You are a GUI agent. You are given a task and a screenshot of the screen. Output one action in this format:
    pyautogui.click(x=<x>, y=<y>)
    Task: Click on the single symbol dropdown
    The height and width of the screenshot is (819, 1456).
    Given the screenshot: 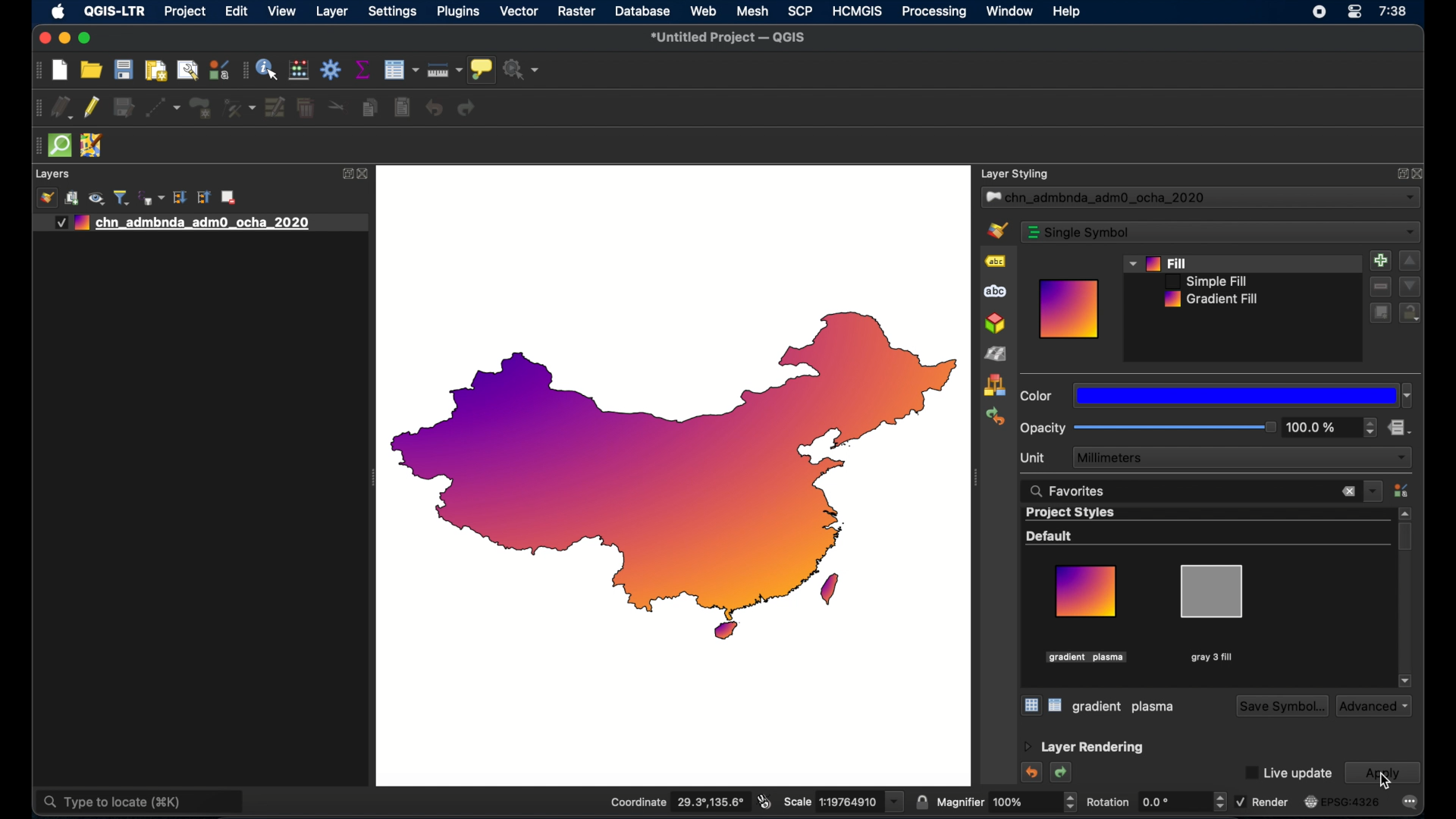 What is the action you would take?
    pyautogui.click(x=1220, y=232)
    